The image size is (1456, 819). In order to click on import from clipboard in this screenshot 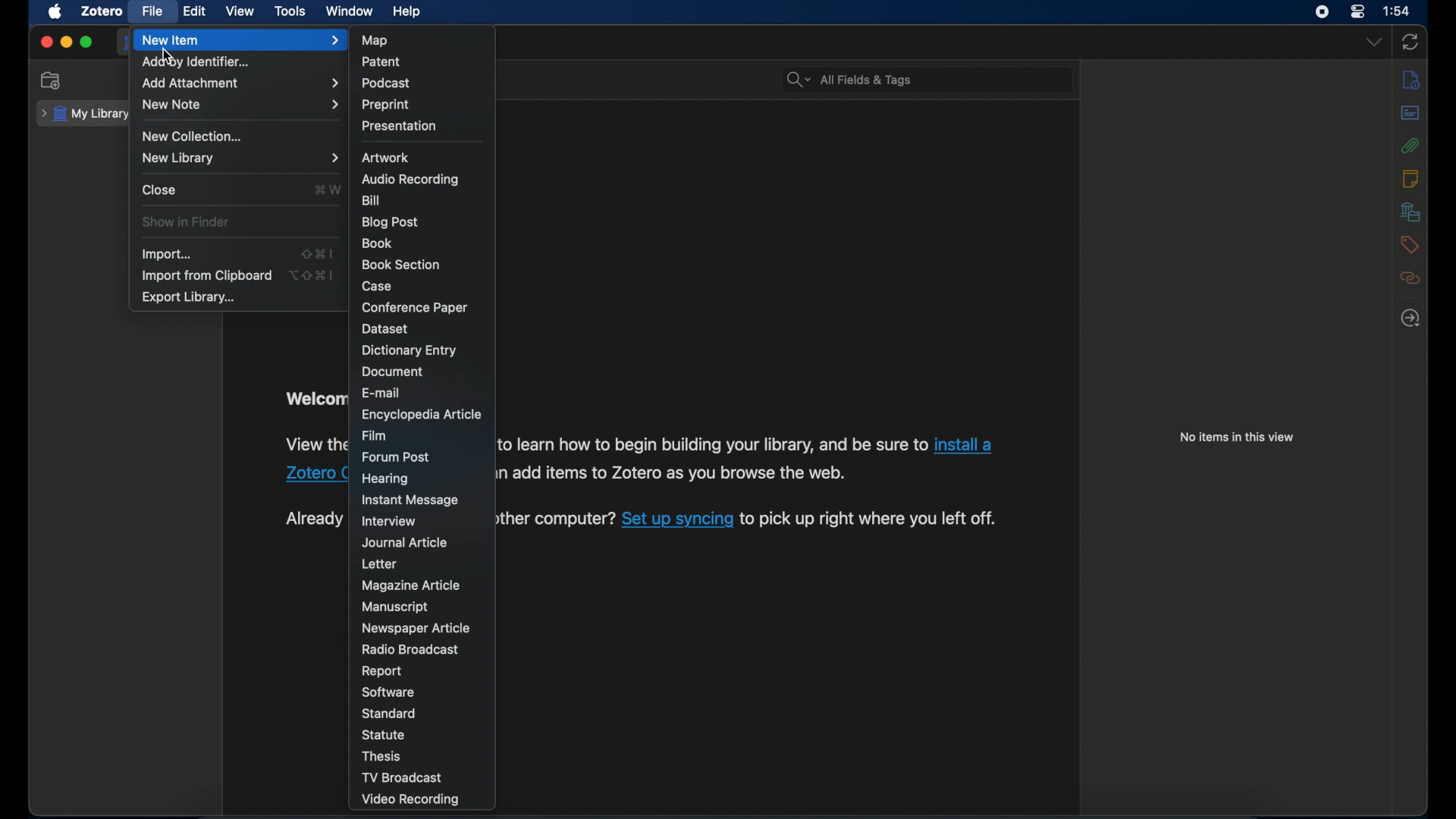, I will do `click(206, 275)`.